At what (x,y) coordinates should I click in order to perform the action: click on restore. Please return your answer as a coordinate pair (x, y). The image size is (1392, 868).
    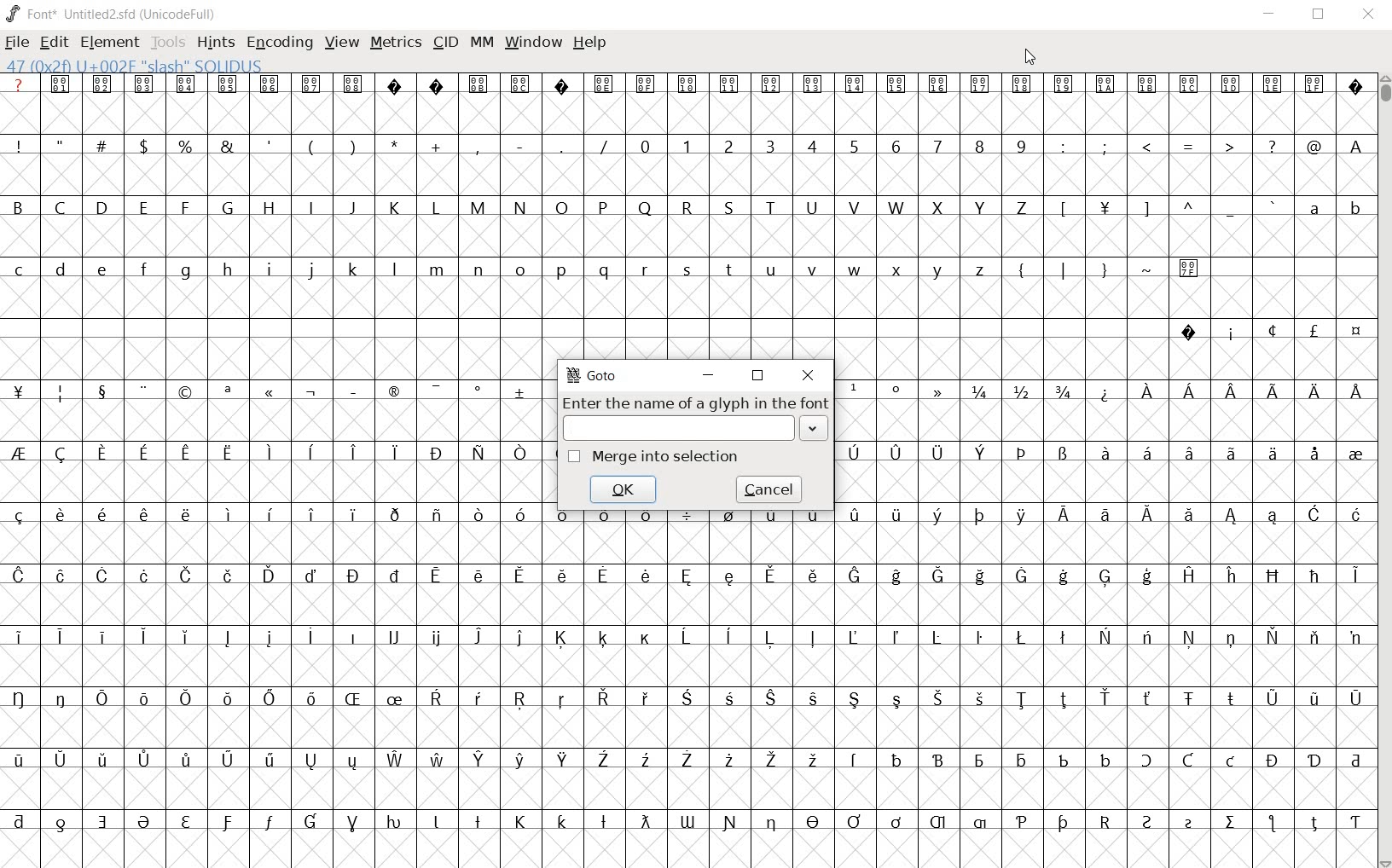
    Looking at the image, I should click on (759, 377).